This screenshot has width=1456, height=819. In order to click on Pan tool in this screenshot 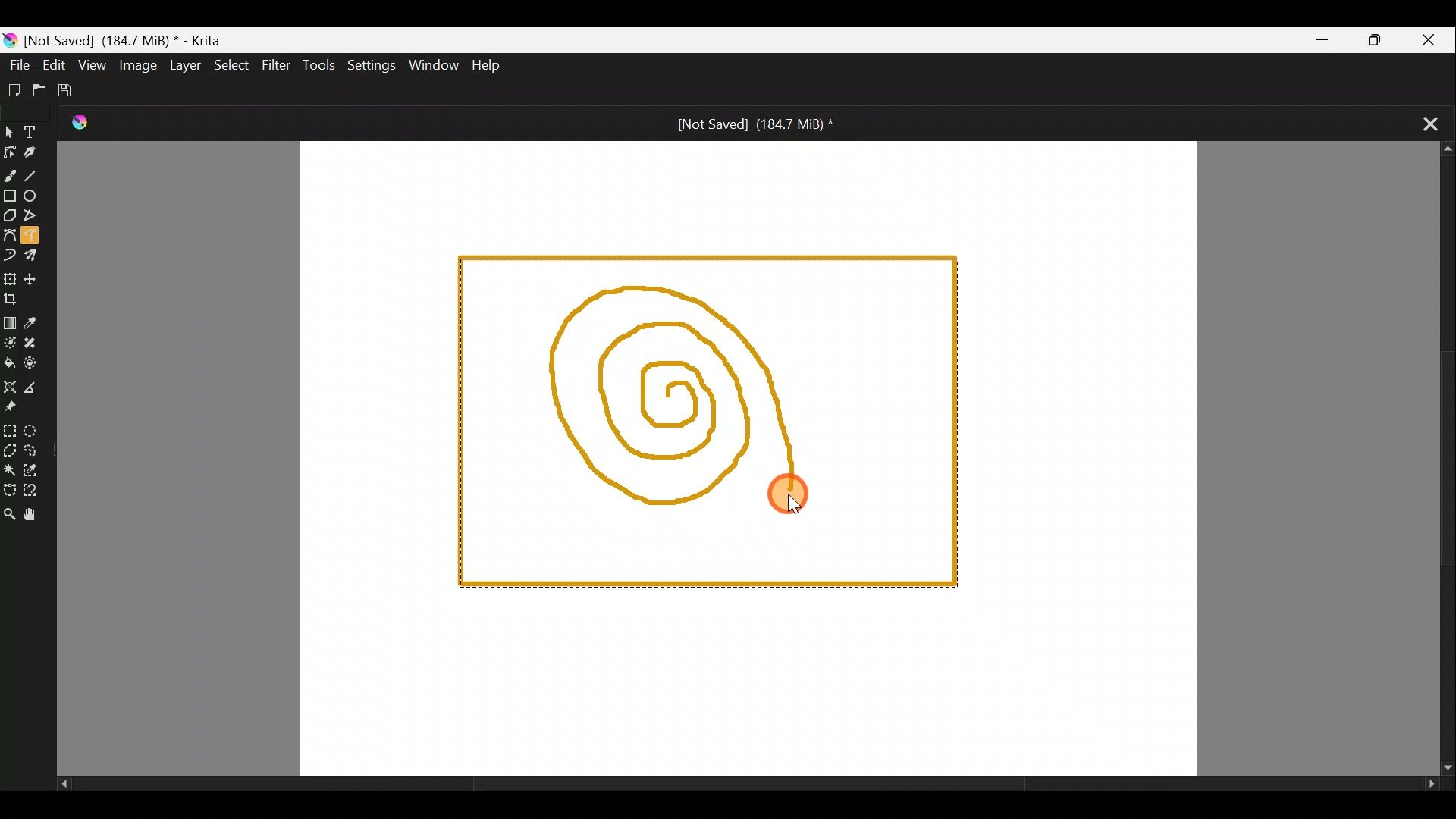, I will do `click(39, 516)`.